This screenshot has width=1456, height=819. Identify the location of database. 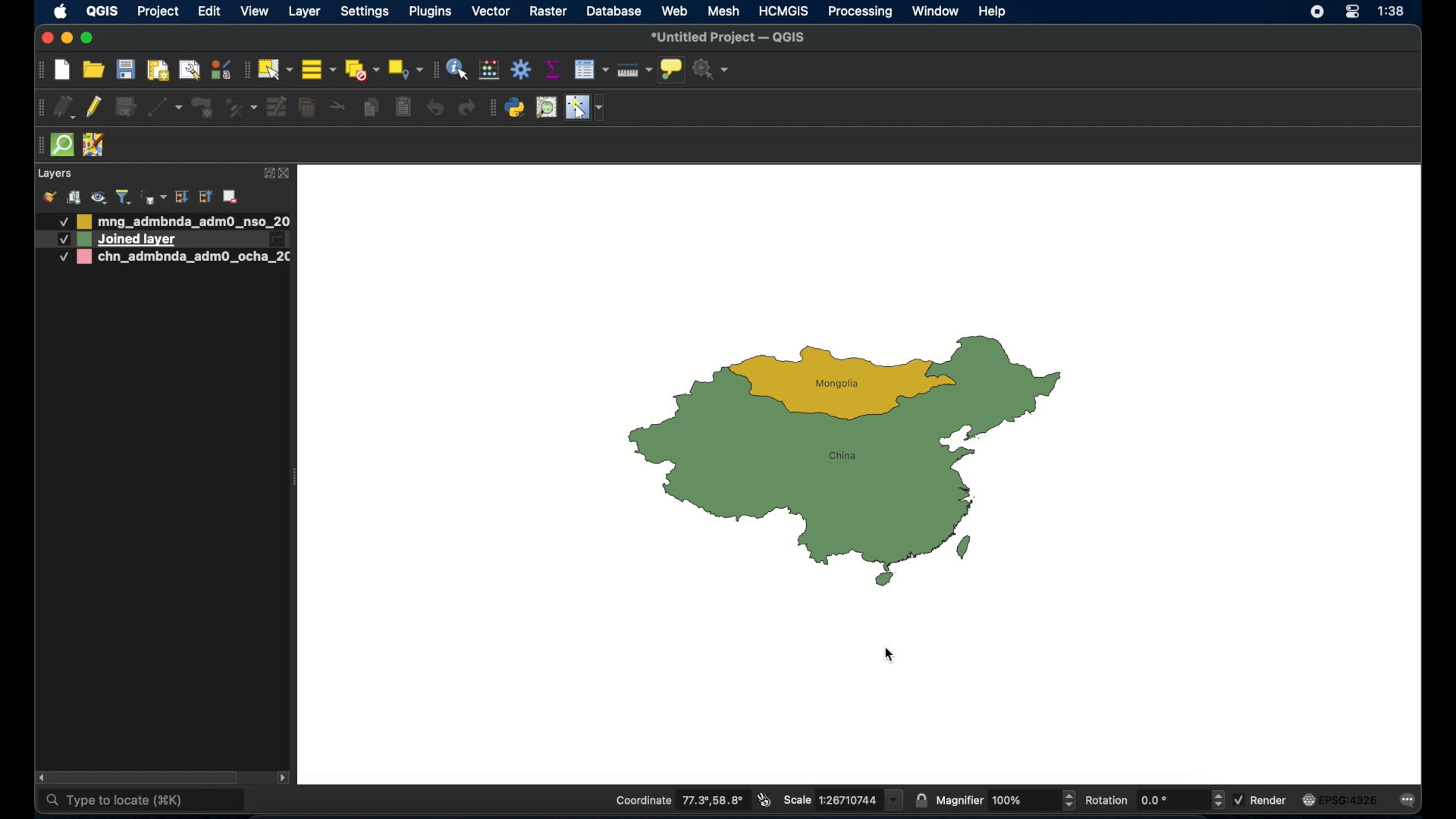
(615, 12).